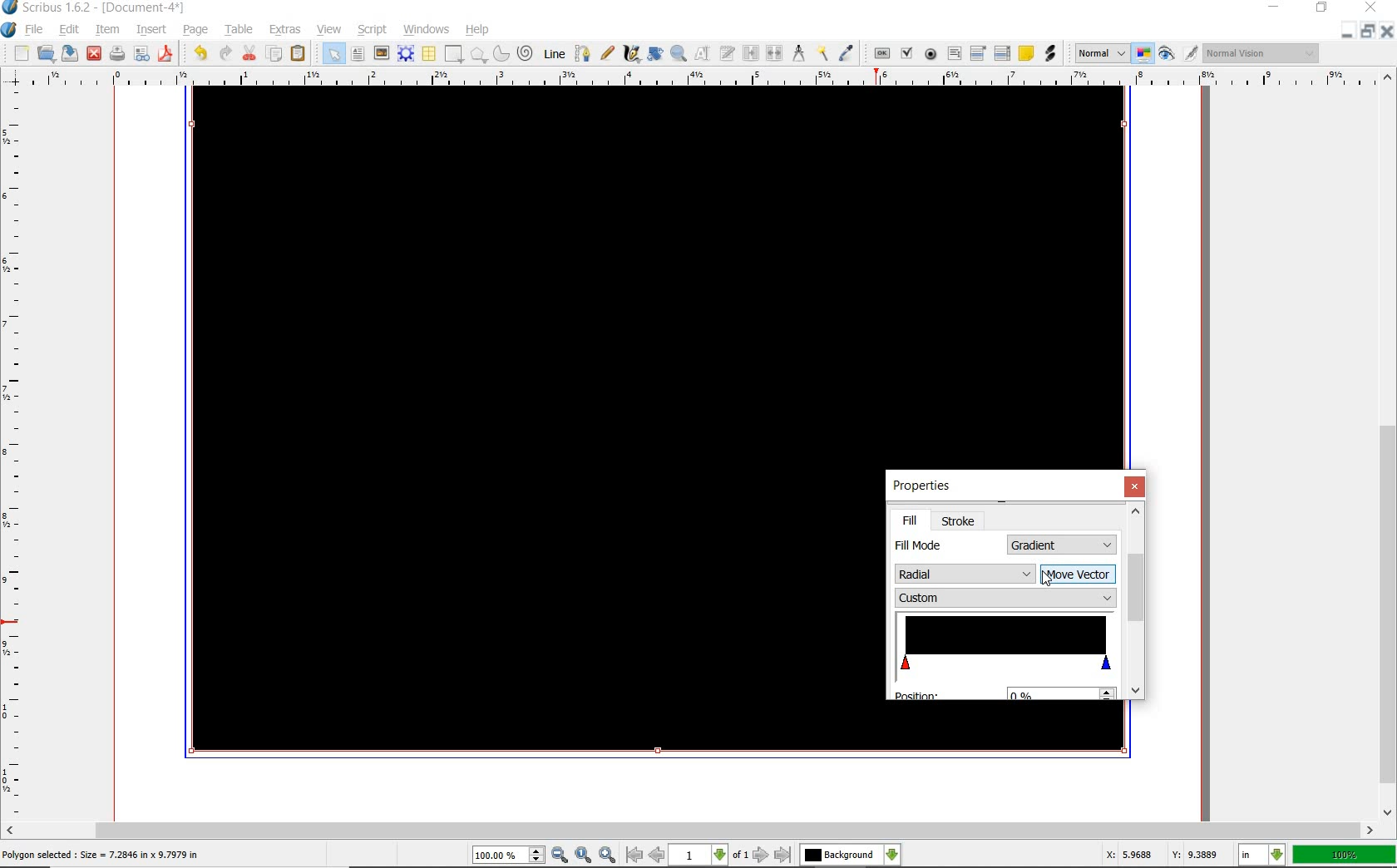 This screenshot has height=868, width=1397. What do you see at coordinates (699, 856) in the screenshot?
I see `1` at bounding box center [699, 856].